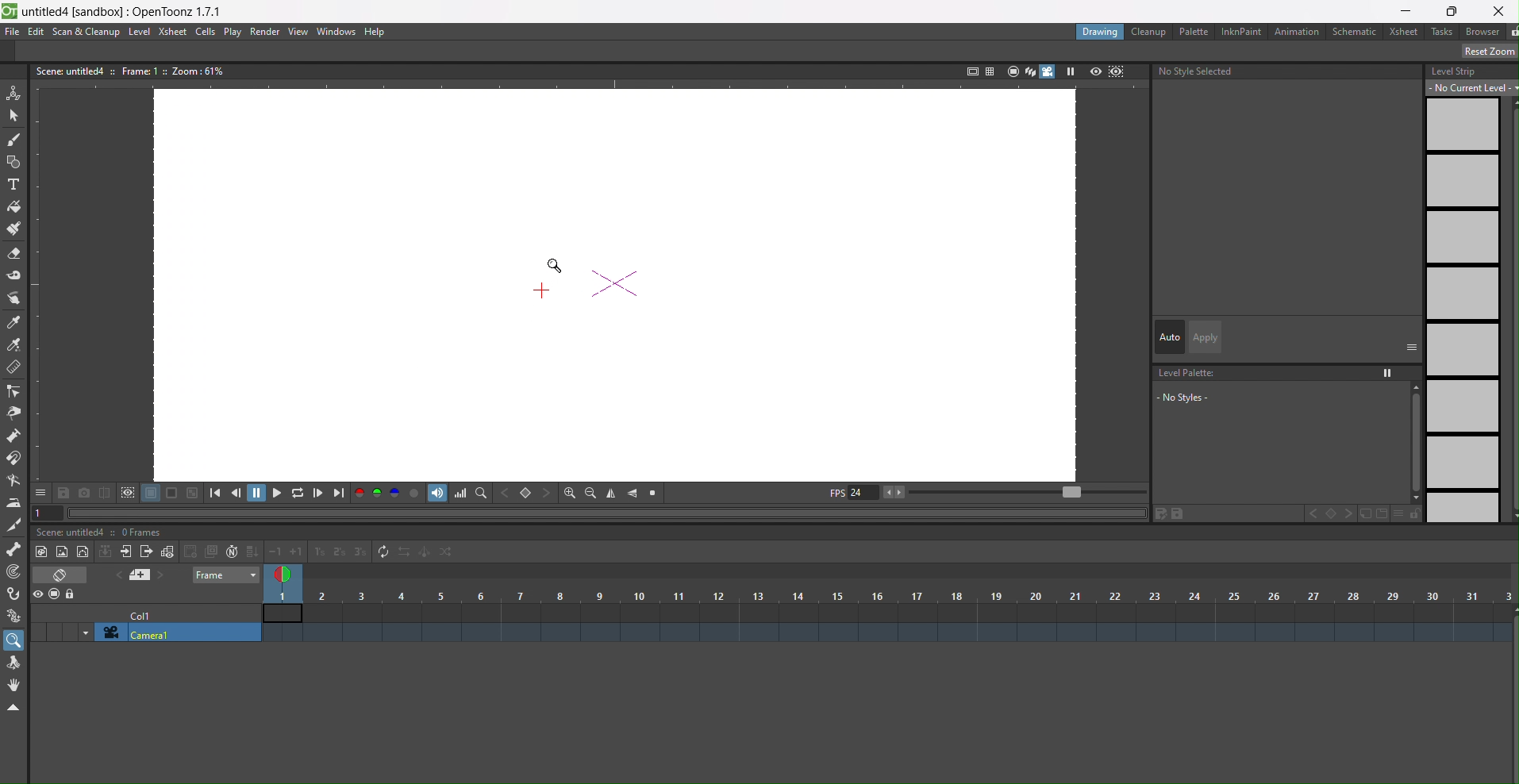 Image resolution: width=1519 pixels, height=784 pixels. I want to click on cleanup, so click(1150, 31).